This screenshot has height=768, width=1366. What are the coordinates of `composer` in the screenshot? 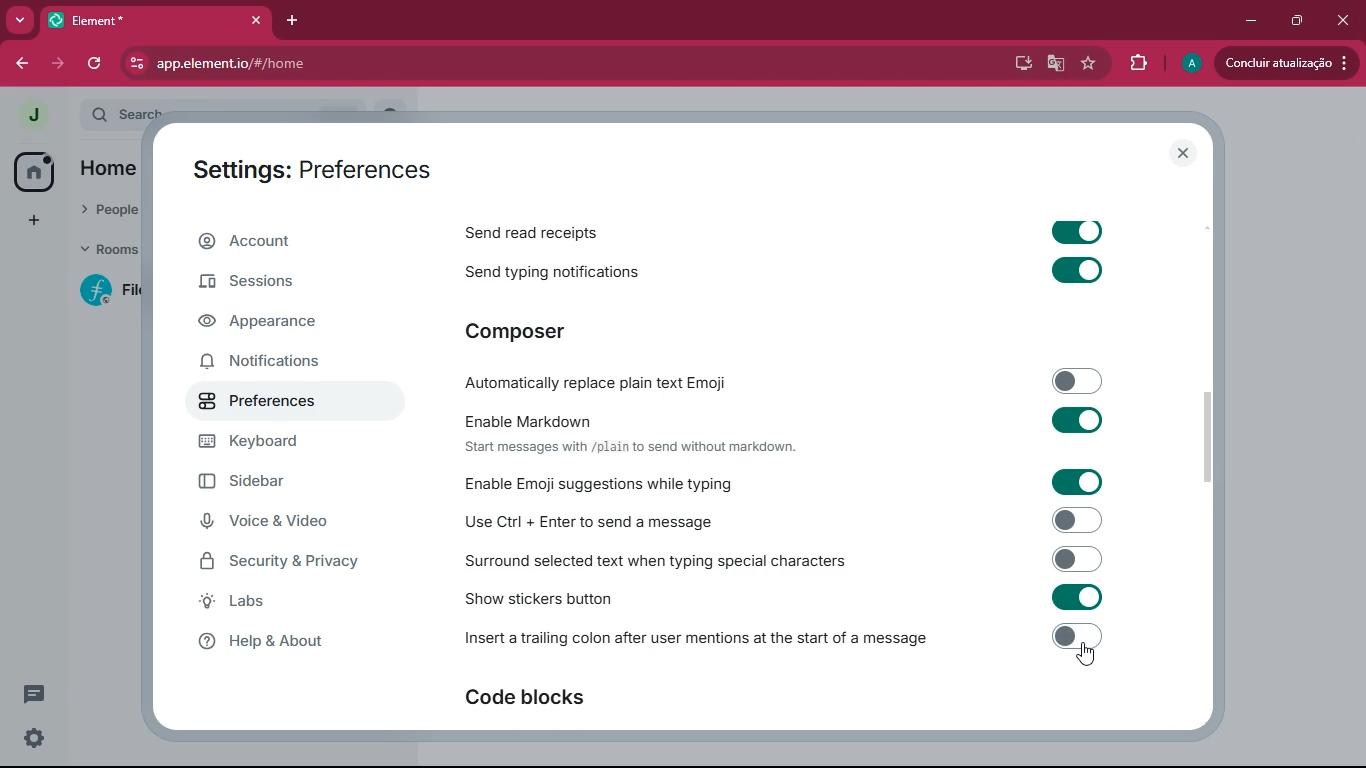 It's located at (532, 331).